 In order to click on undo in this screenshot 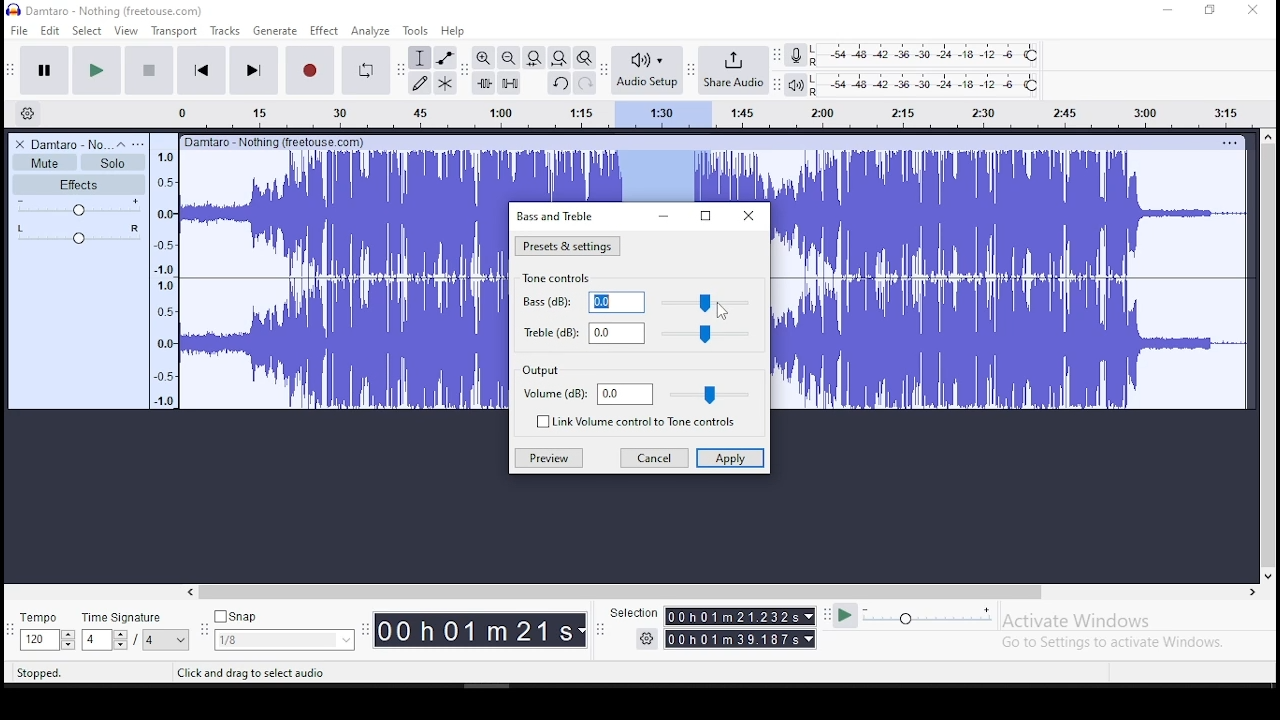, I will do `click(559, 83)`.